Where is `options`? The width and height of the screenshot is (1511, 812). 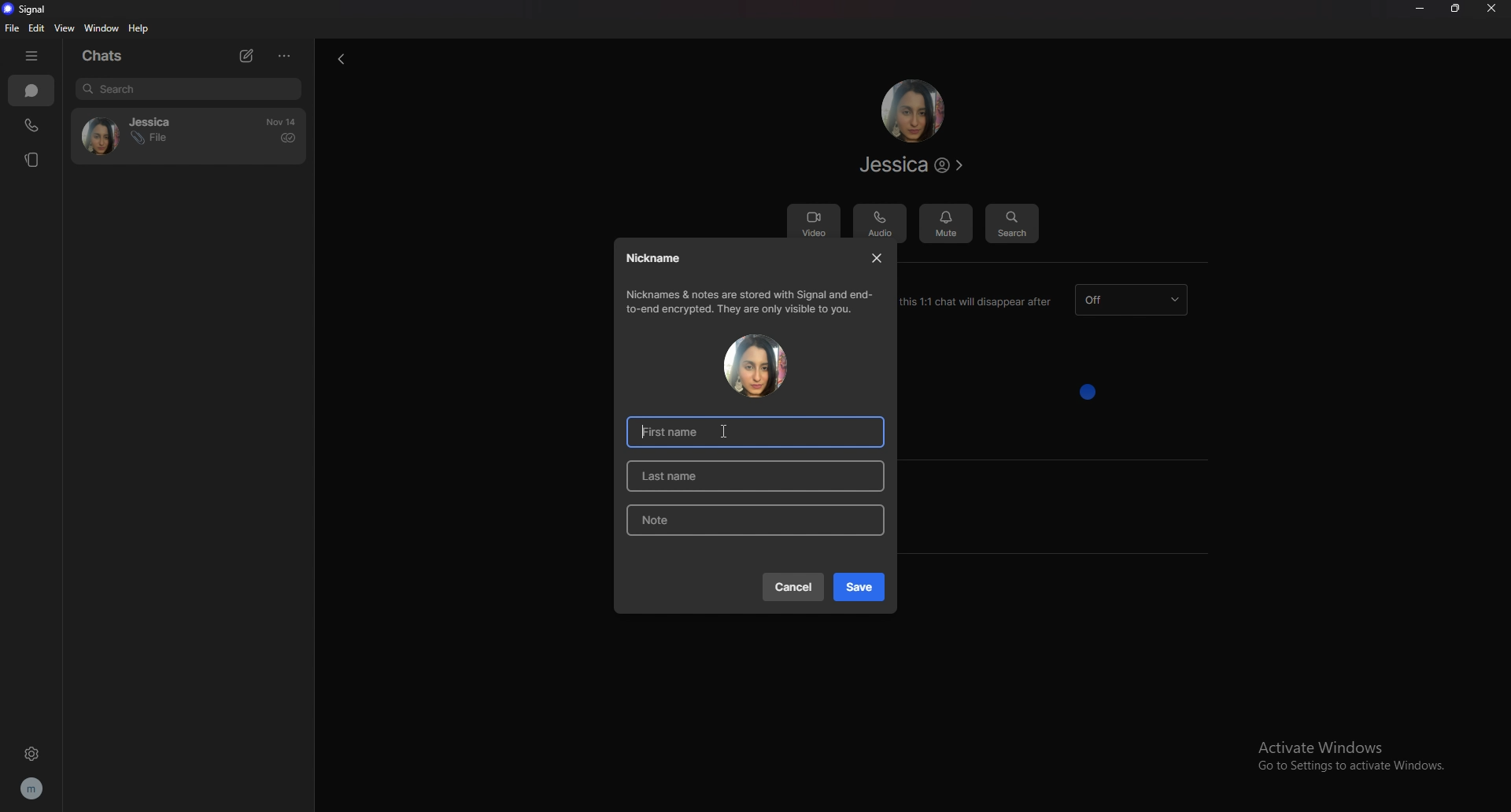 options is located at coordinates (287, 55).